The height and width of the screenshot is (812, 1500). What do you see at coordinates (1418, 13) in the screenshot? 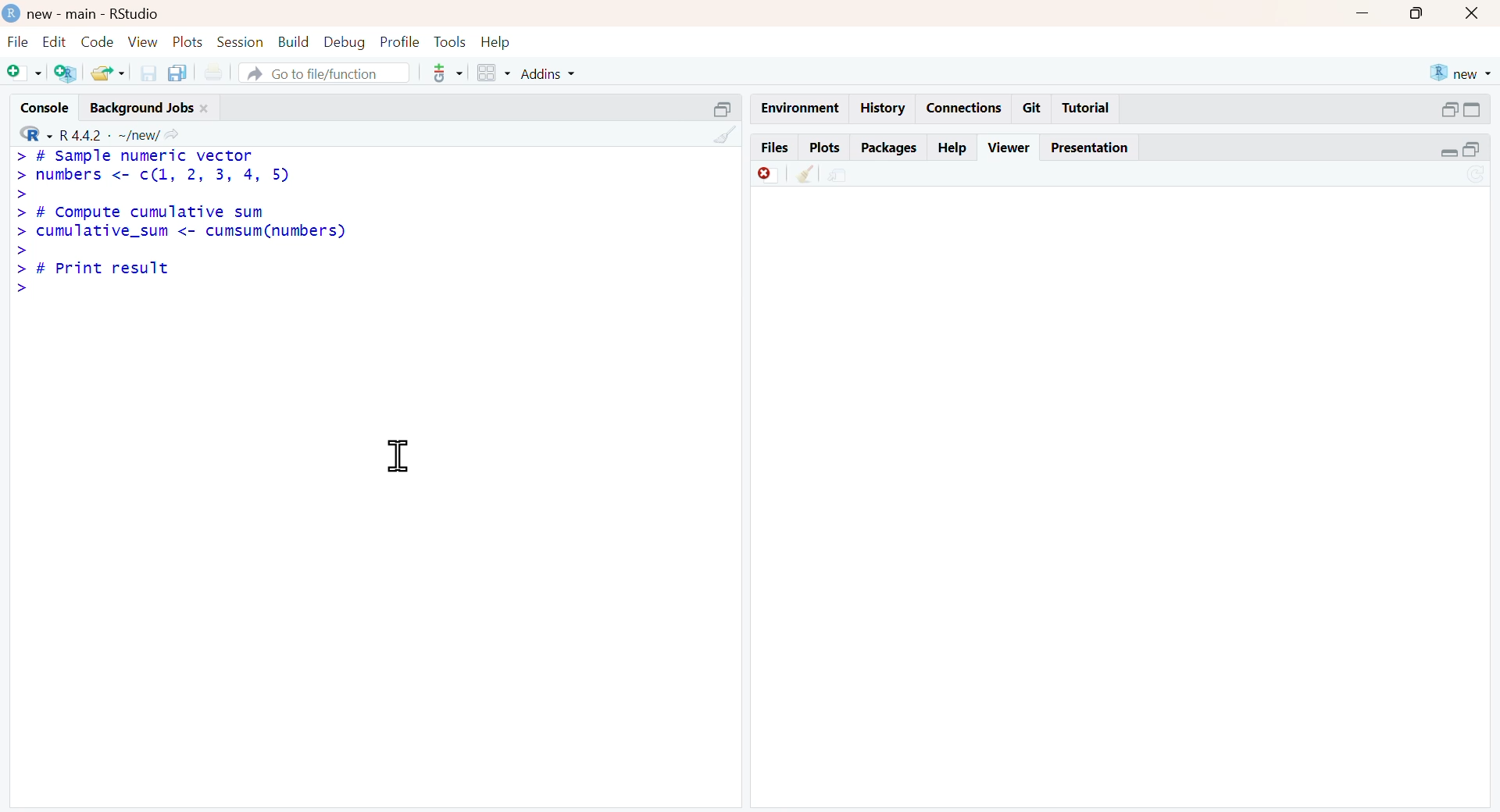
I see `maximize` at bounding box center [1418, 13].